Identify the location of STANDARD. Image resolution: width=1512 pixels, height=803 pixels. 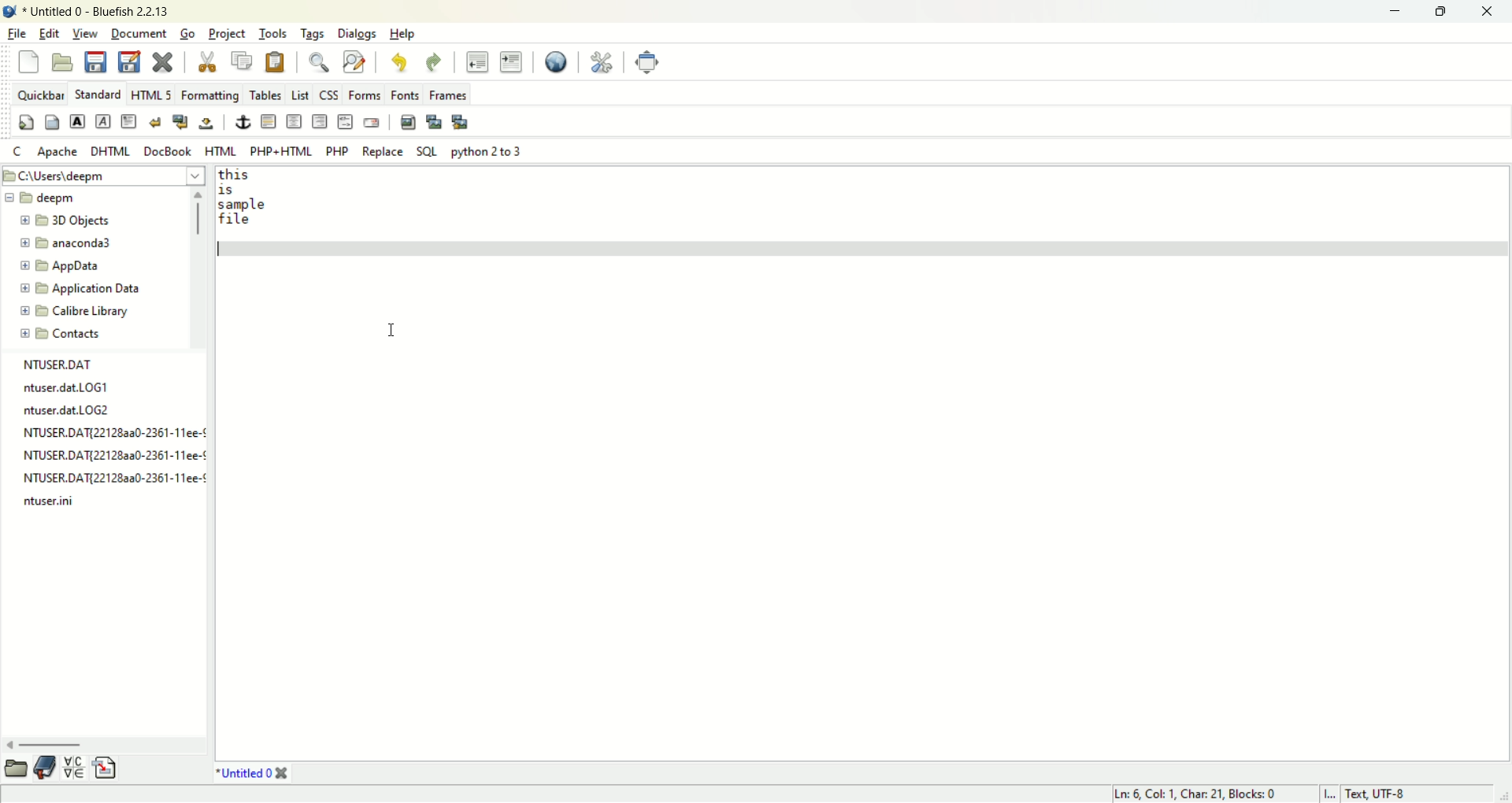
(98, 94).